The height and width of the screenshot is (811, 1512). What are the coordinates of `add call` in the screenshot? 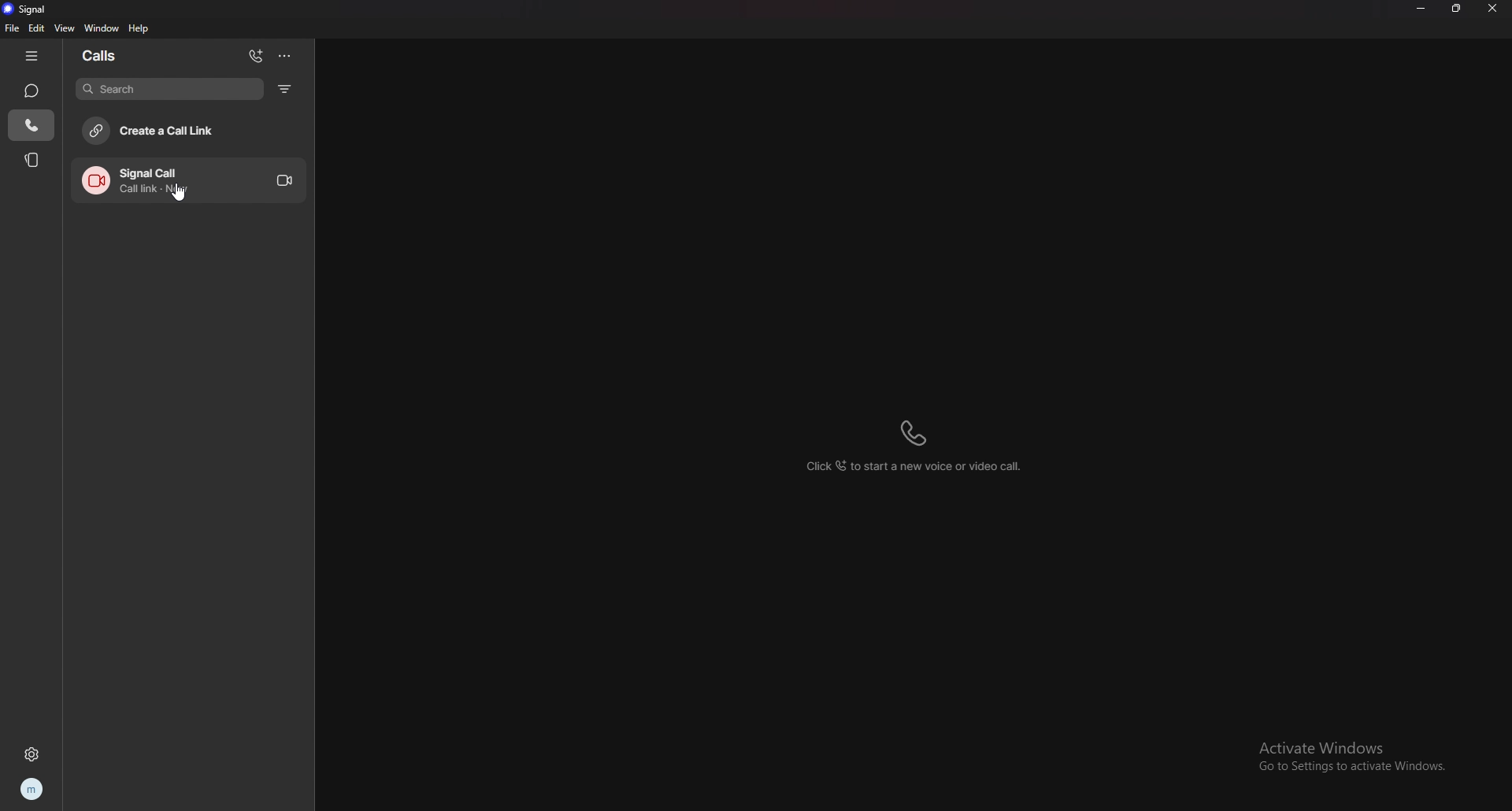 It's located at (257, 57).